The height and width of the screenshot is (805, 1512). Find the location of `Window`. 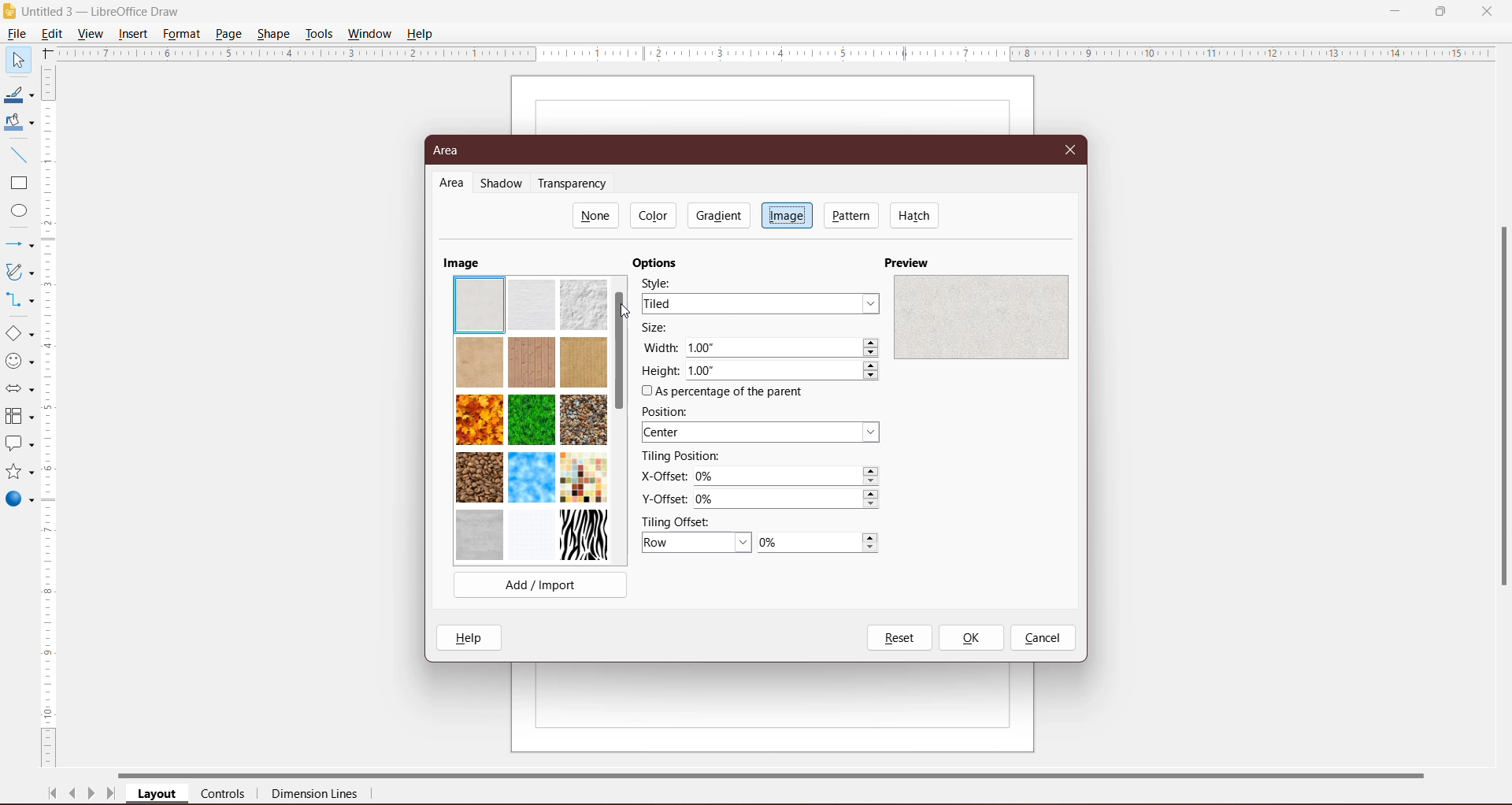

Window is located at coordinates (369, 34).